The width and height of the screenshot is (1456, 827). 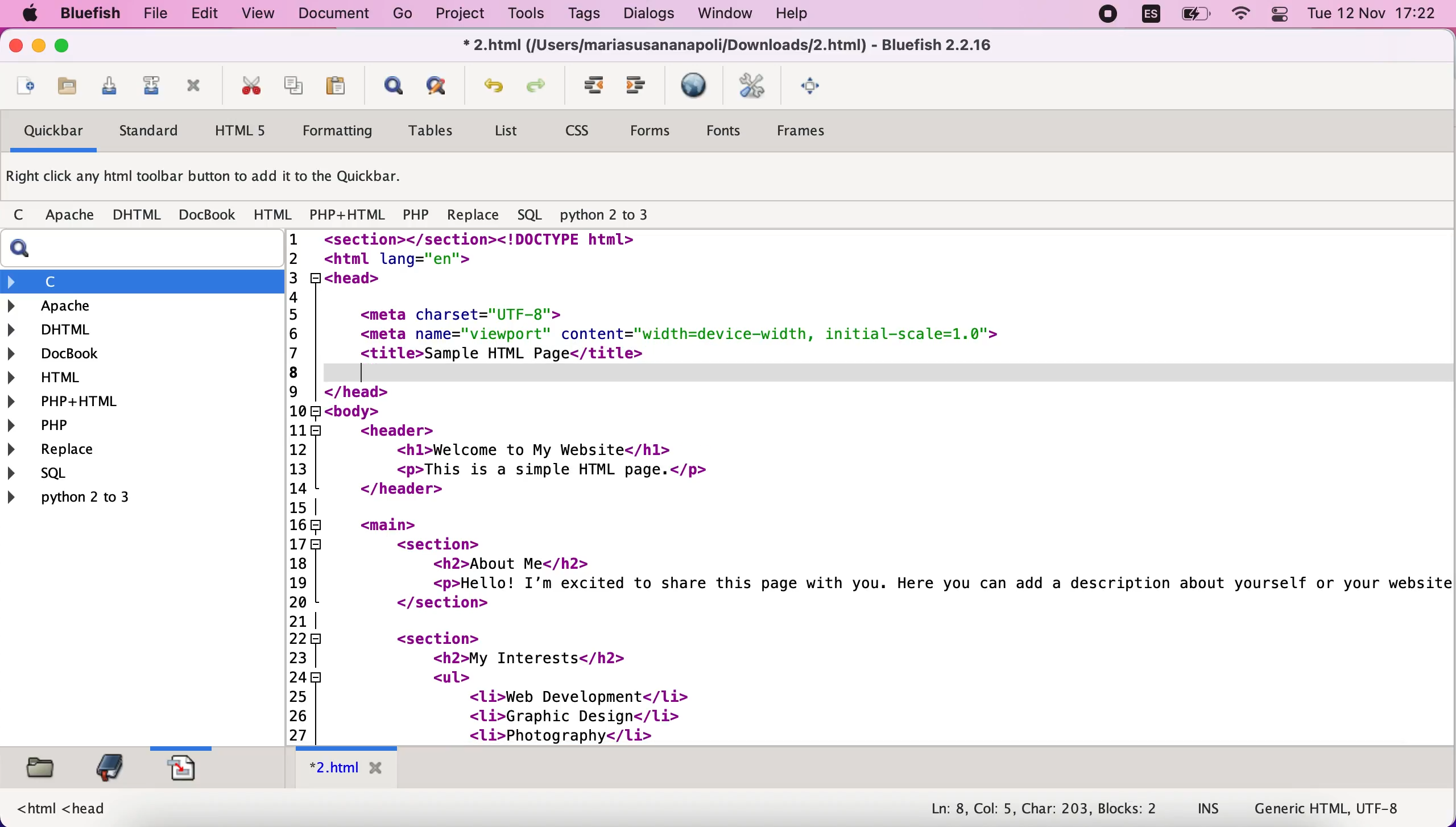 I want to click on html, so click(x=274, y=214).